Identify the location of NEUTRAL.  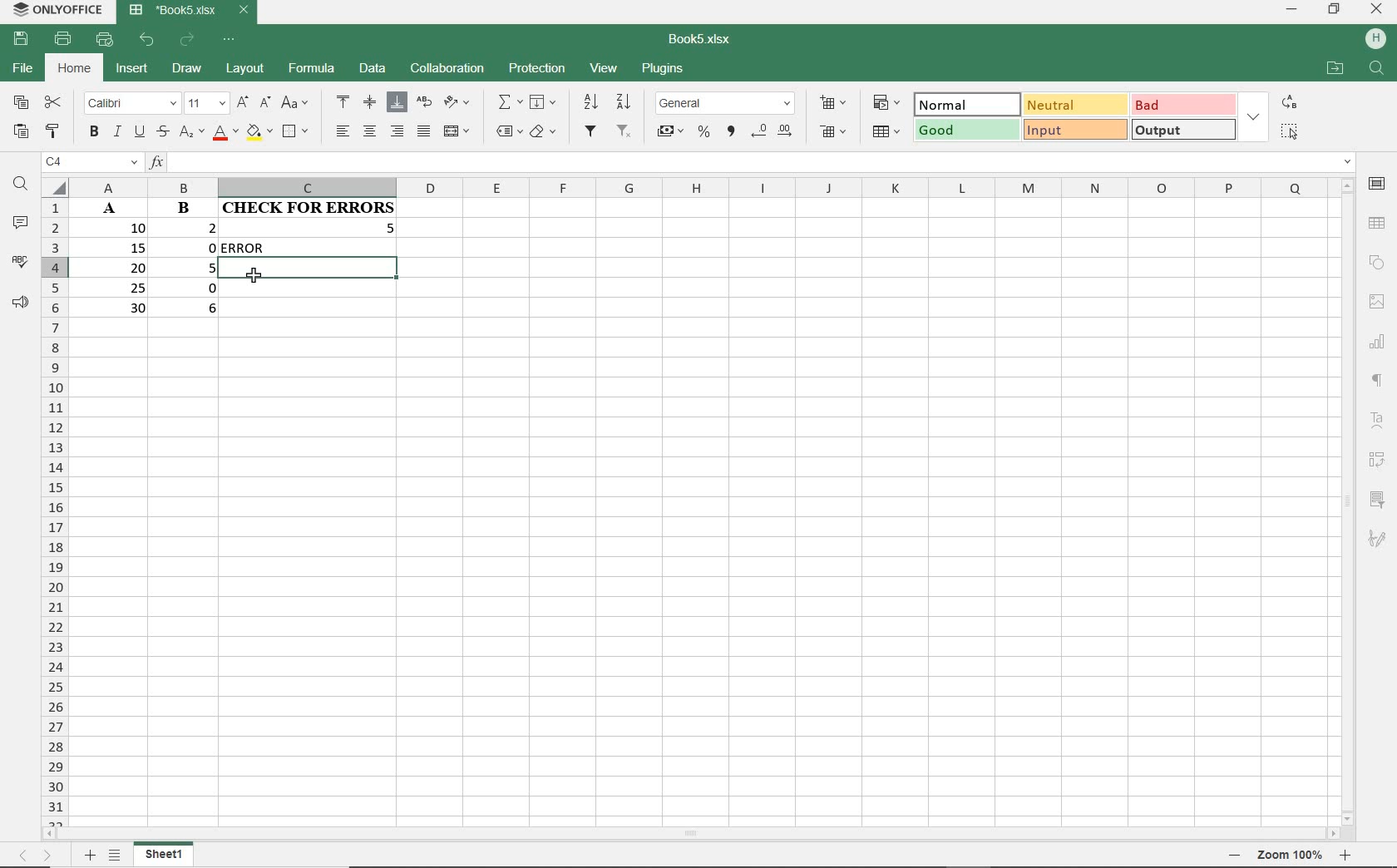
(1074, 104).